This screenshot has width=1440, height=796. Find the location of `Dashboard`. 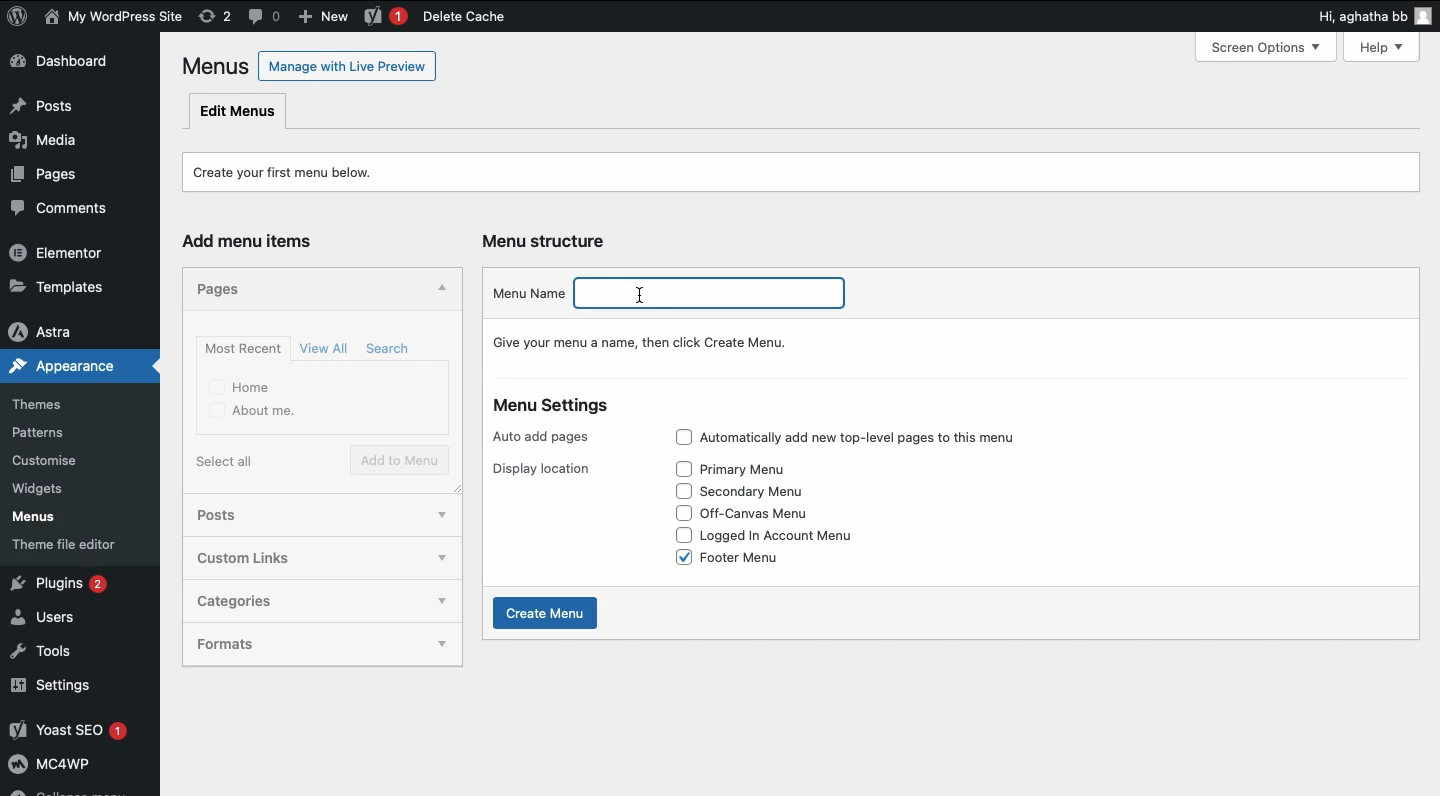

Dashboard is located at coordinates (71, 64).